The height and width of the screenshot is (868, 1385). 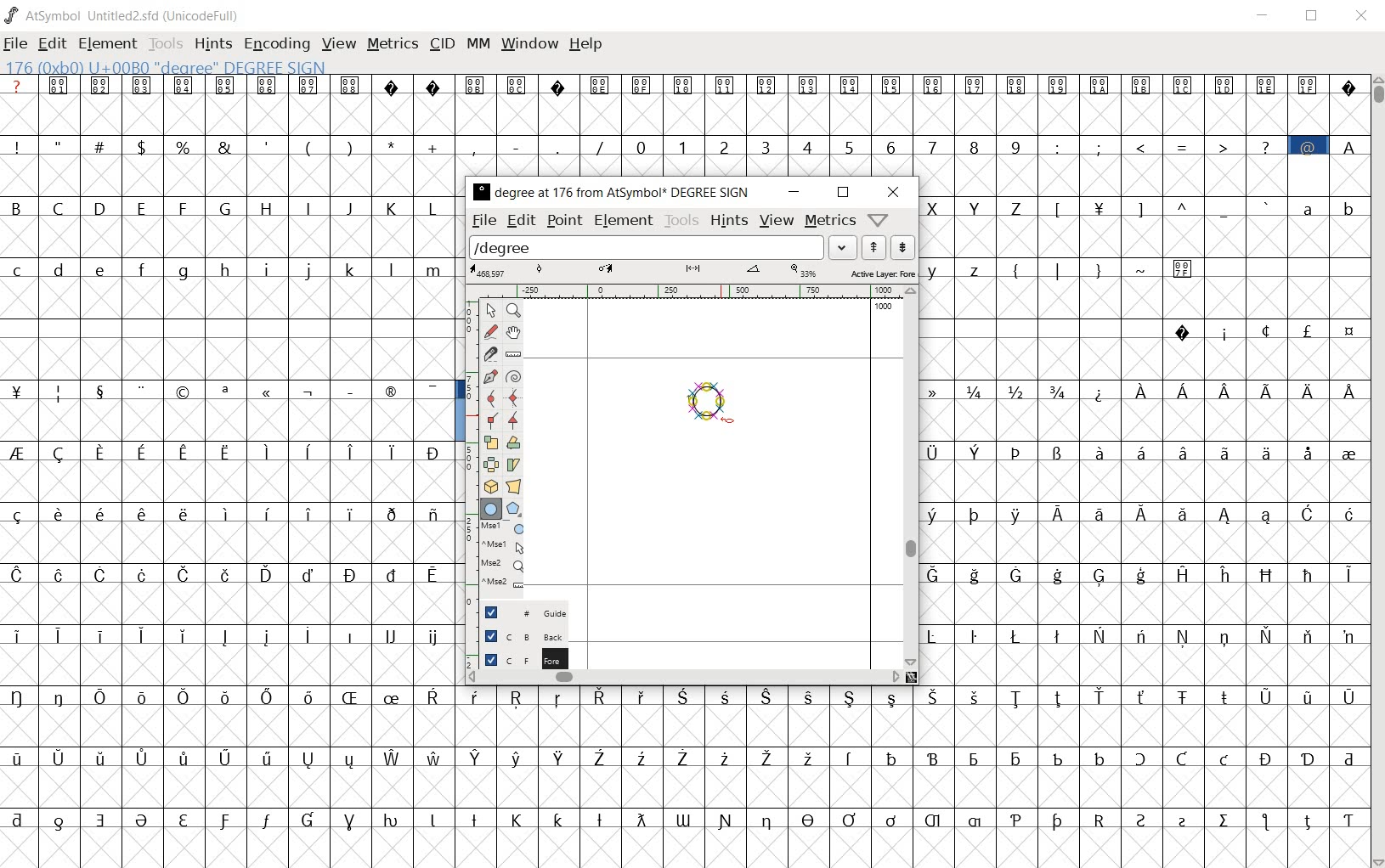 I want to click on empty glyph slot, so click(x=681, y=847).